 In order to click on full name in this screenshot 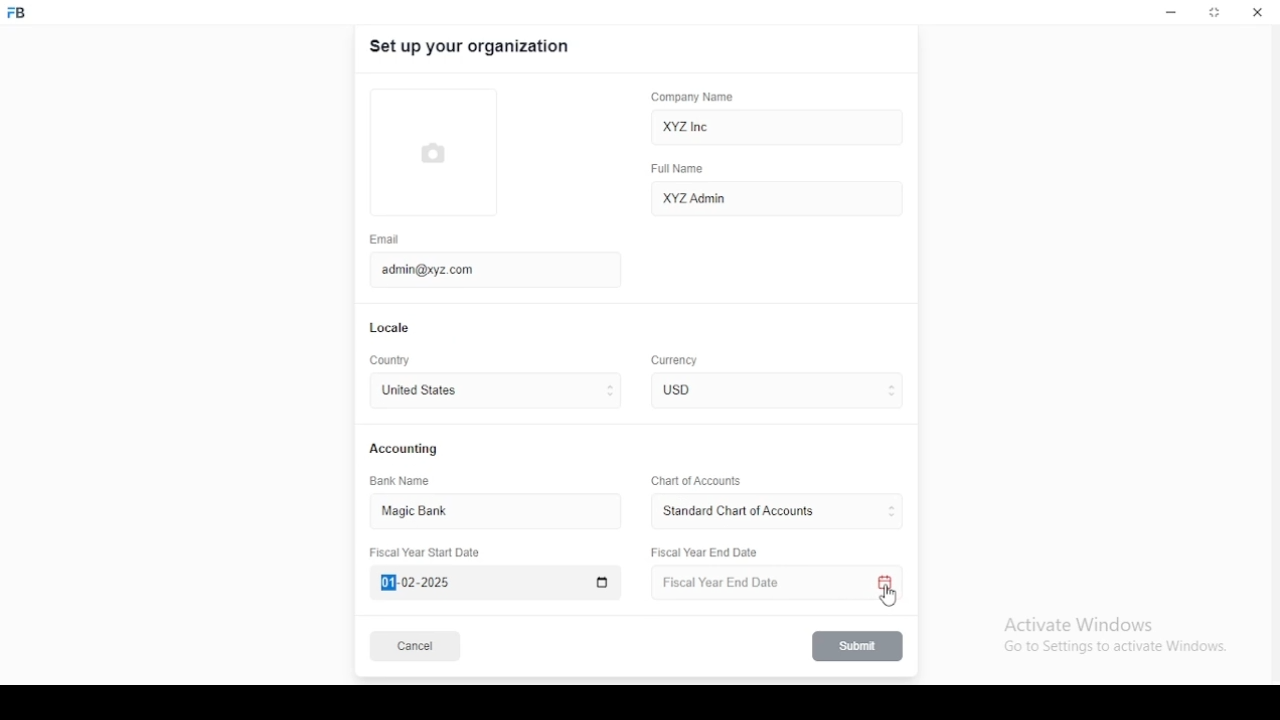, I will do `click(683, 169)`.